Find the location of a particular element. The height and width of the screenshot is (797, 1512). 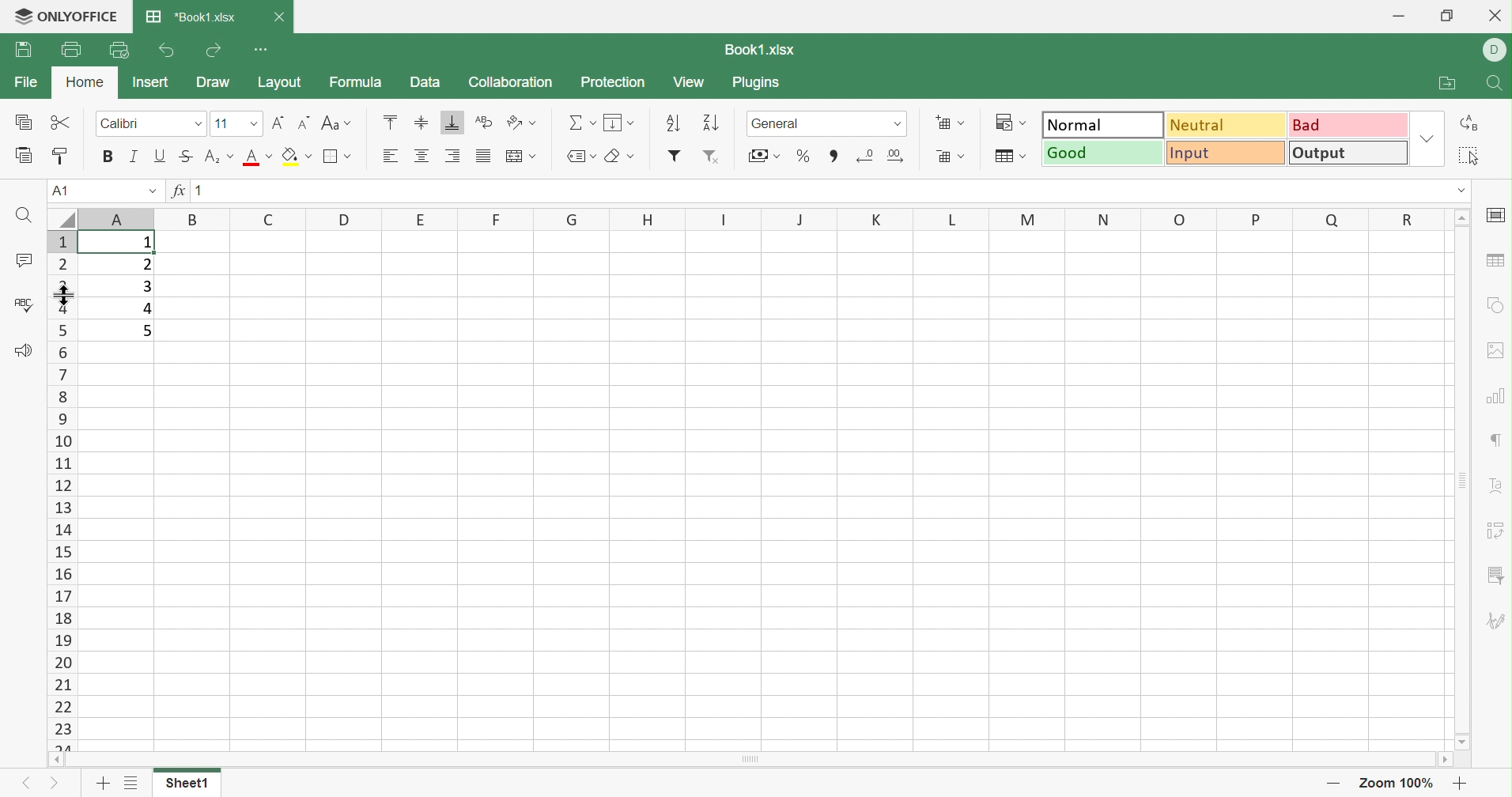

Wrap Text is located at coordinates (483, 120).